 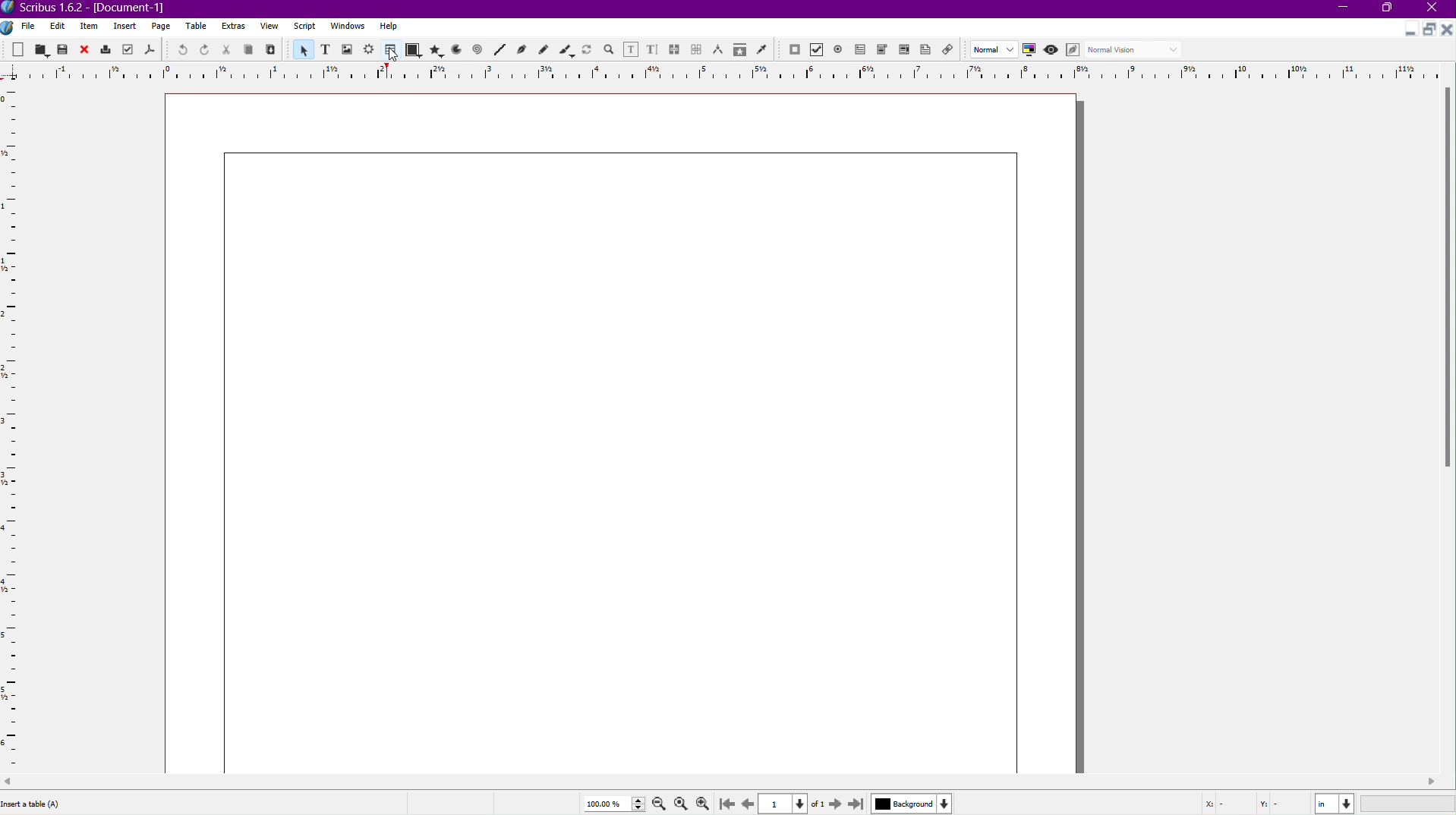 What do you see at coordinates (19, 49) in the screenshot?
I see `New` at bounding box center [19, 49].